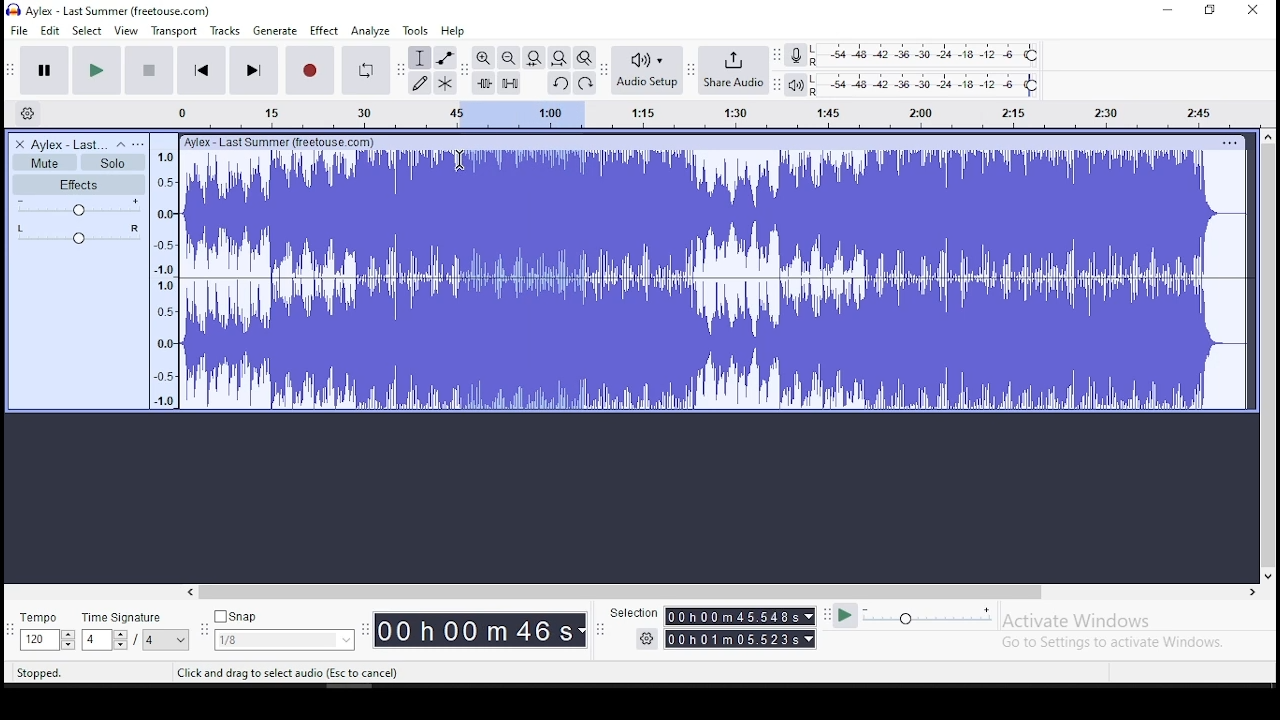 The width and height of the screenshot is (1280, 720). What do you see at coordinates (70, 145) in the screenshot?
I see `audio` at bounding box center [70, 145].